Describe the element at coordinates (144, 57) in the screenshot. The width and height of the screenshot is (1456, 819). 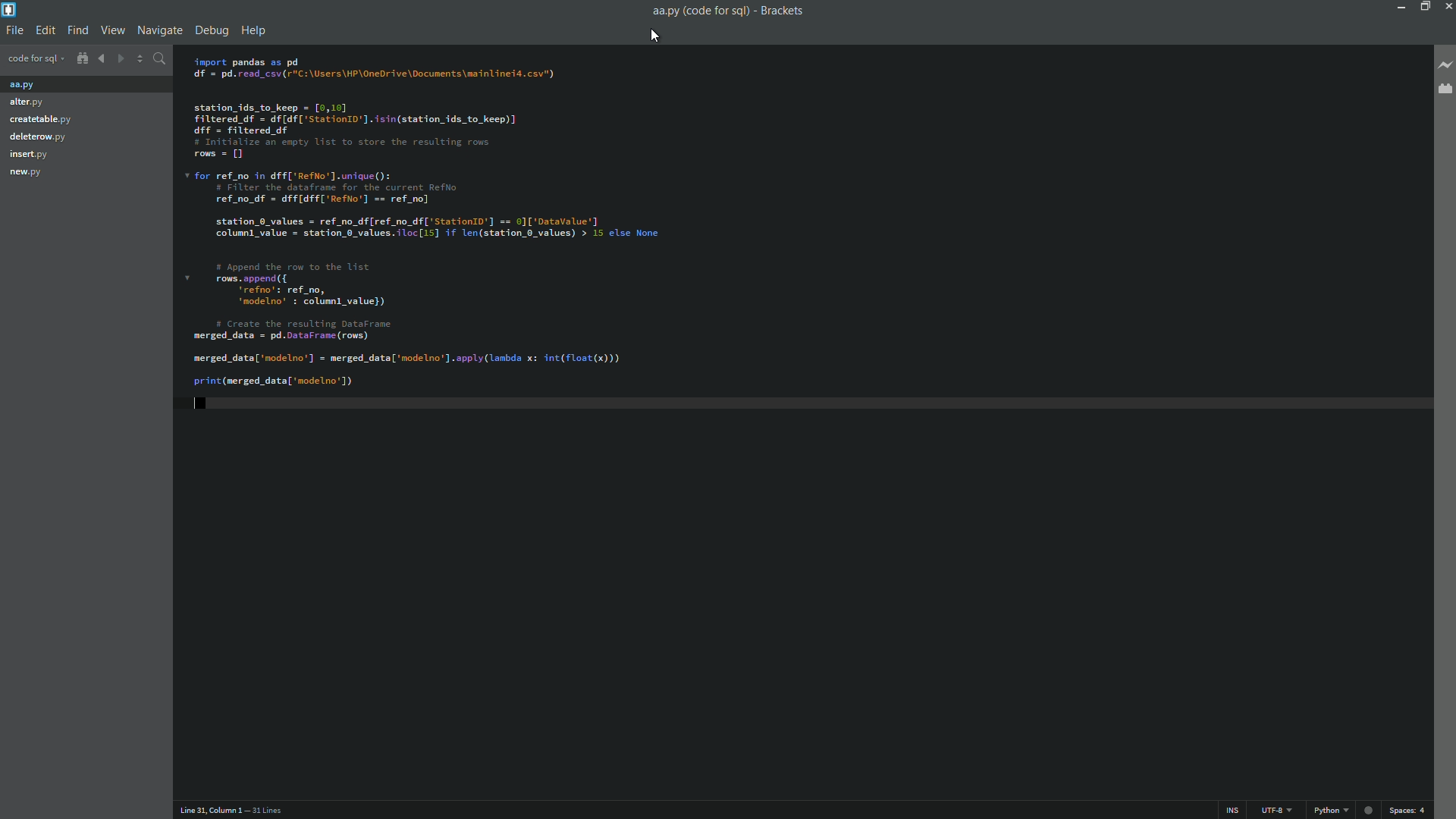
I see `split the editor vertically or horizontally` at that location.